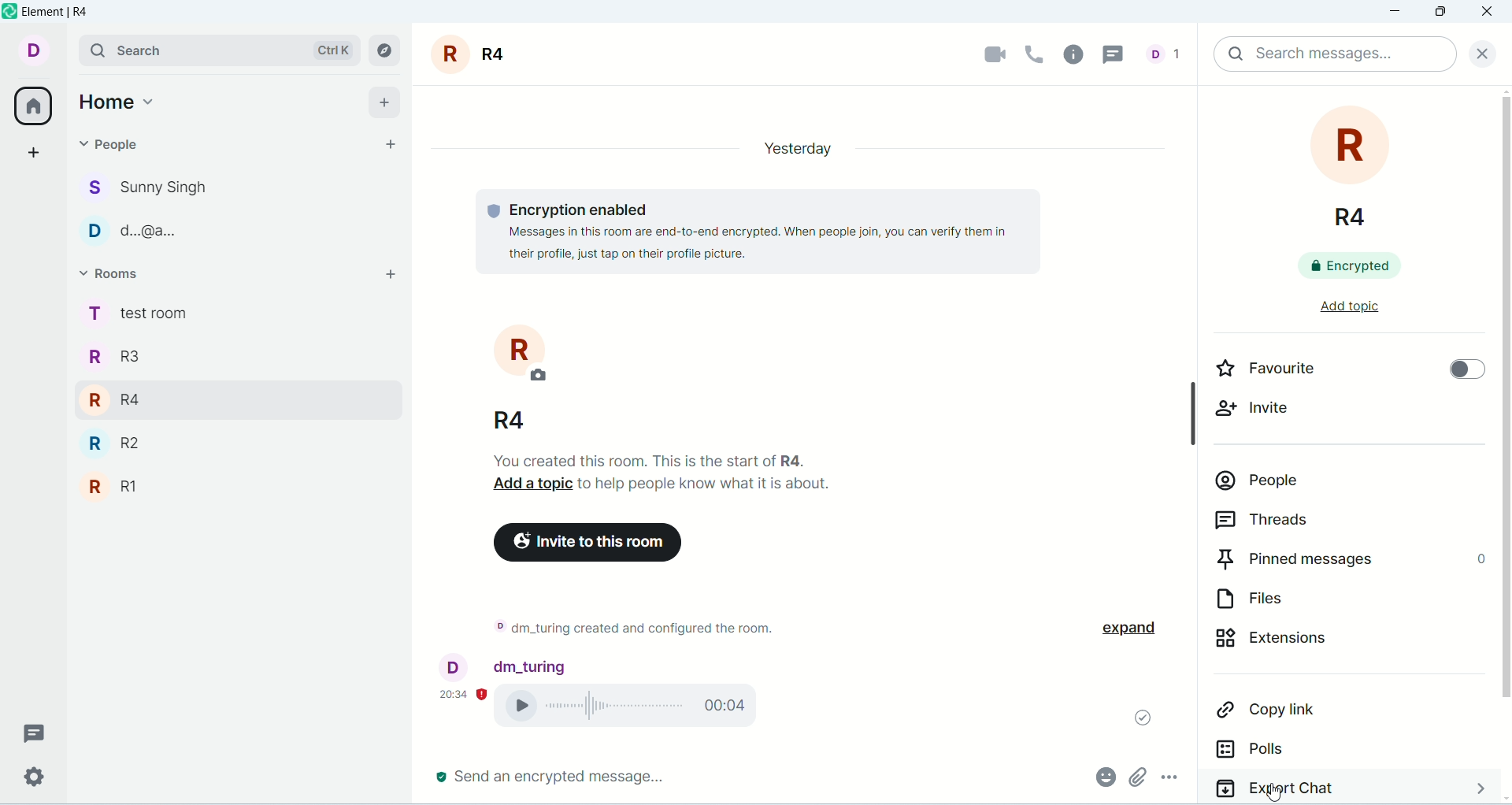 The width and height of the screenshot is (1512, 805). Describe the element at coordinates (1119, 53) in the screenshot. I see `threads` at that location.